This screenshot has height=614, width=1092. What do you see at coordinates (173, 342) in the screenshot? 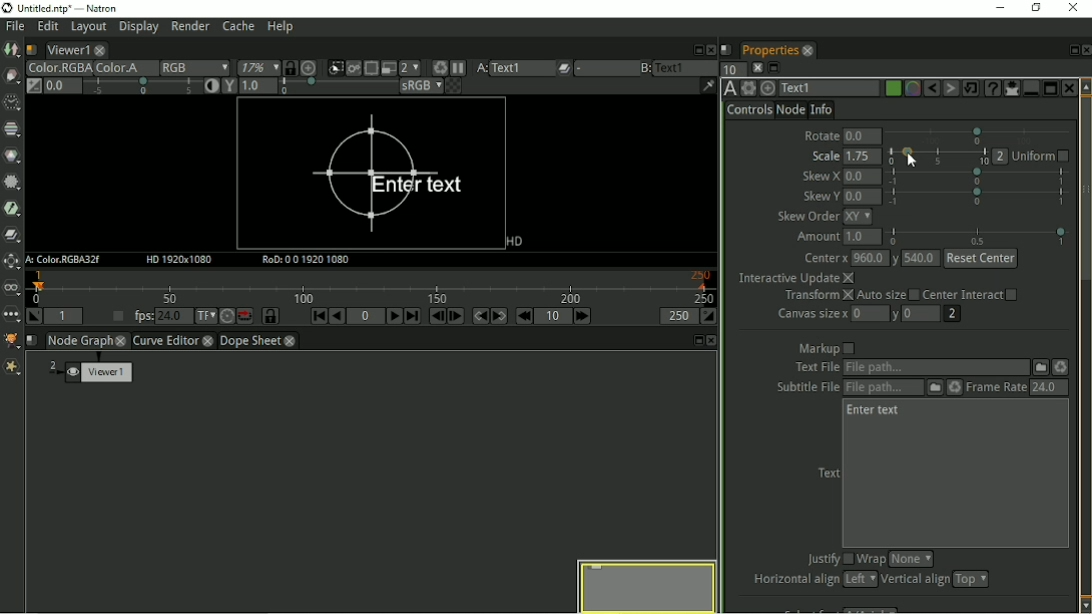
I see `Curve editor` at bounding box center [173, 342].